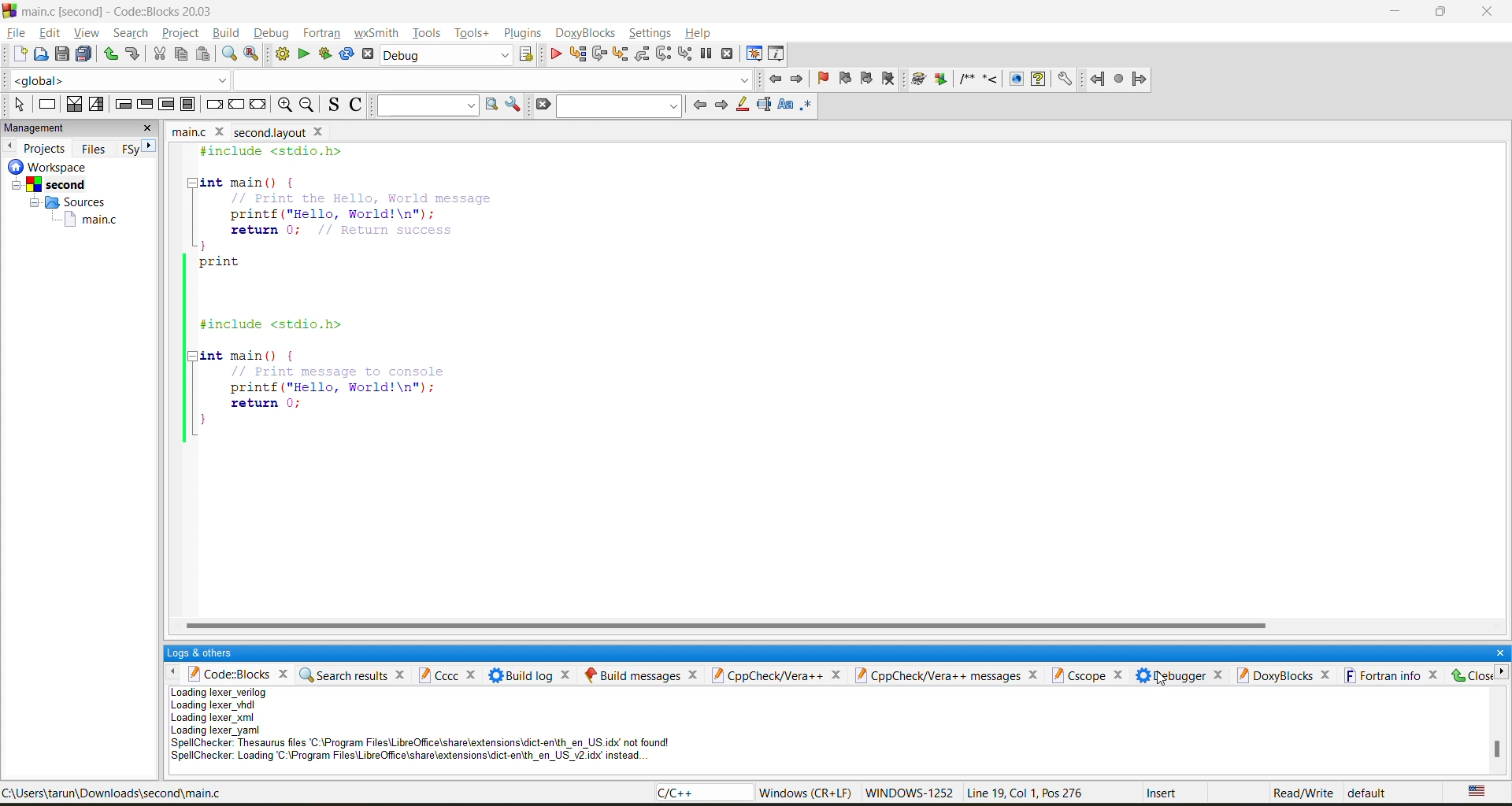  What do you see at coordinates (661, 53) in the screenshot?
I see `next instruction` at bounding box center [661, 53].